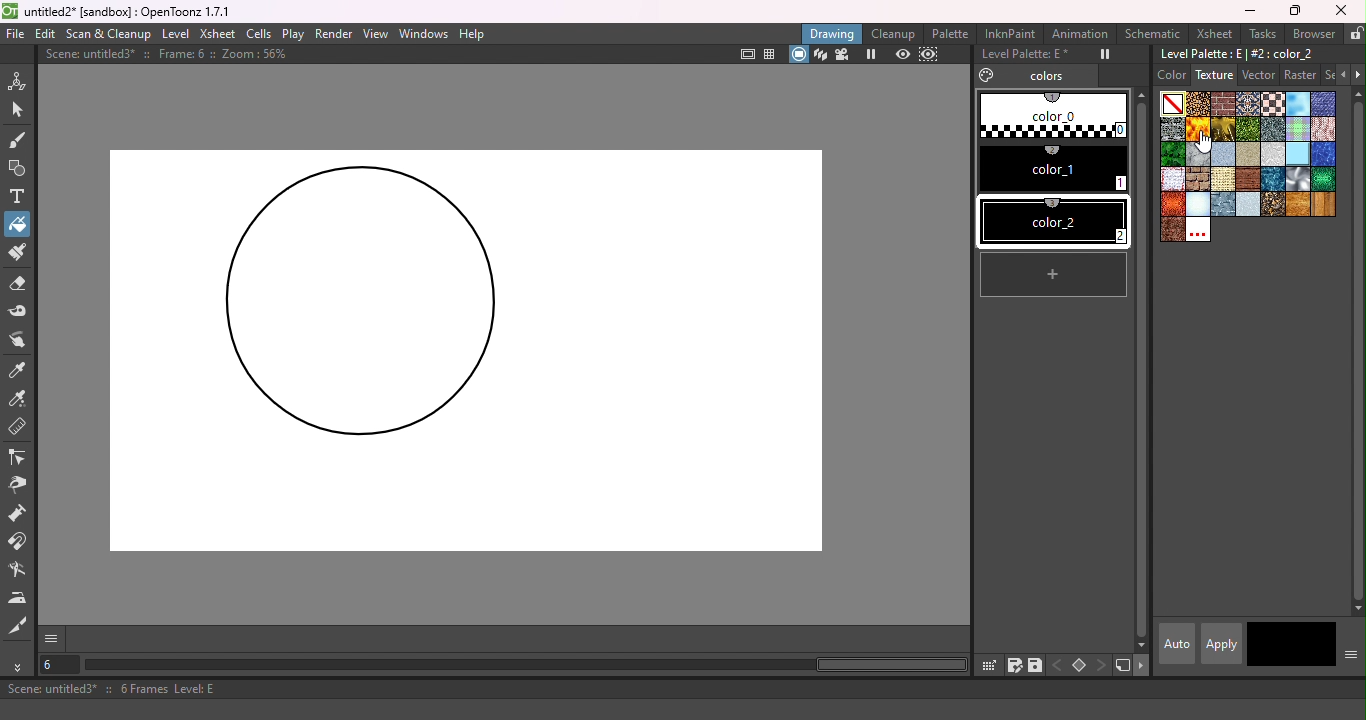 The width and height of the screenshot is (1366, 720). What do you see at coordinates (294, 33) in the screenshot?
I see `Play` at bounding box center [294, 33].